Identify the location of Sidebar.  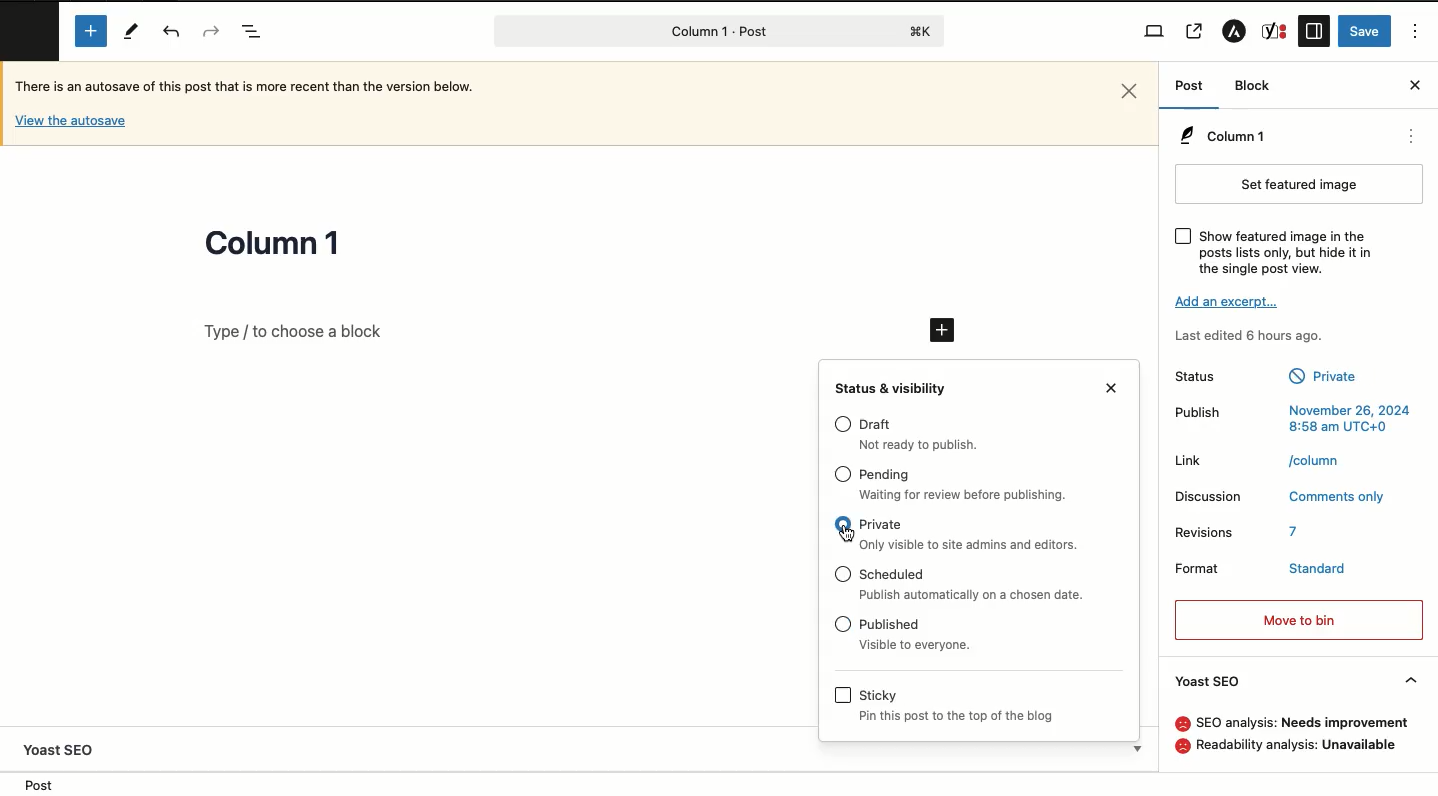
(1313, 32).